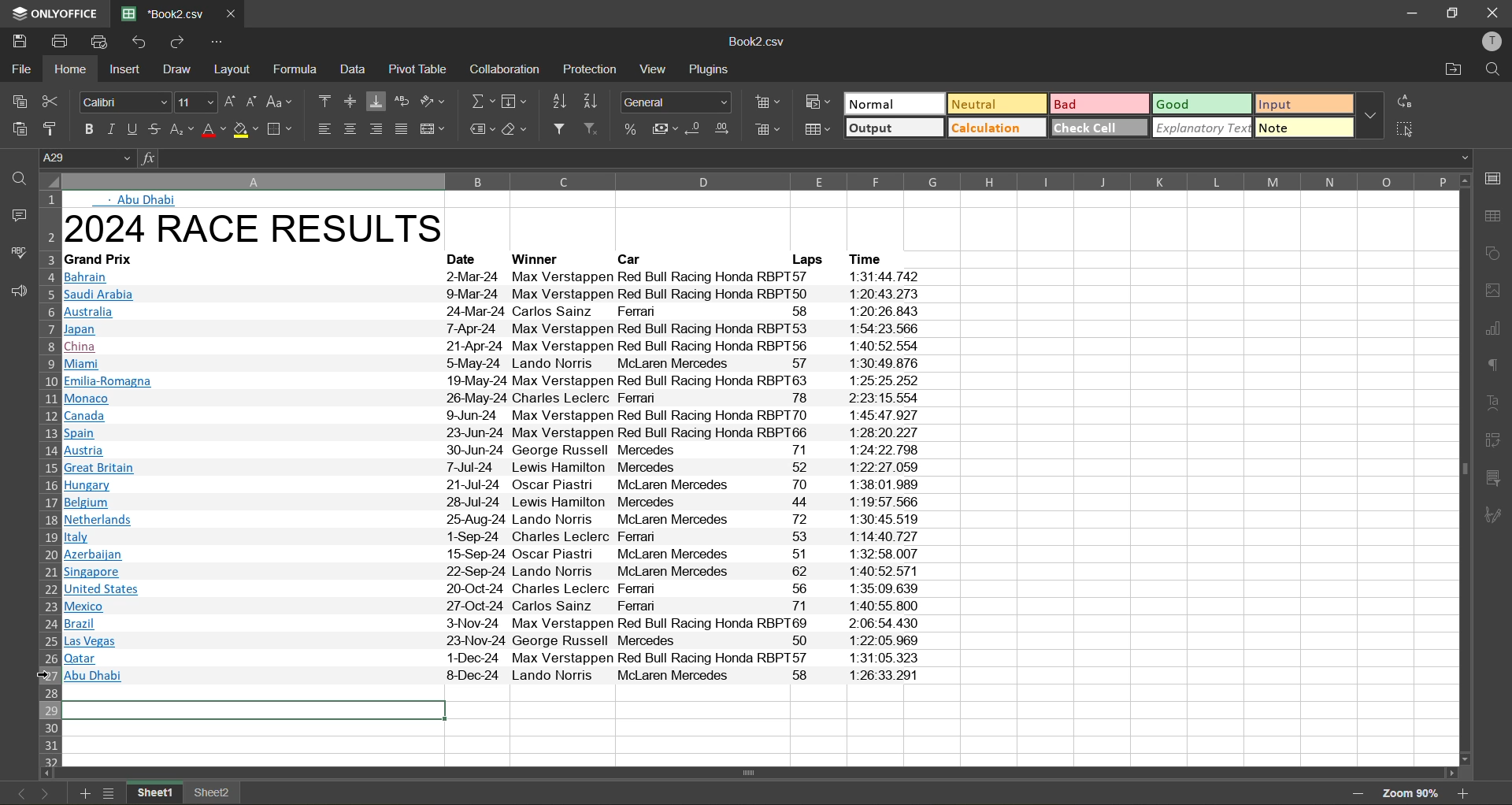 This screenshot has width=1512, height=805. What do you see at coordinates (282, 102) in the screenshot?
I see `change case` at bounding box center [282, 102].